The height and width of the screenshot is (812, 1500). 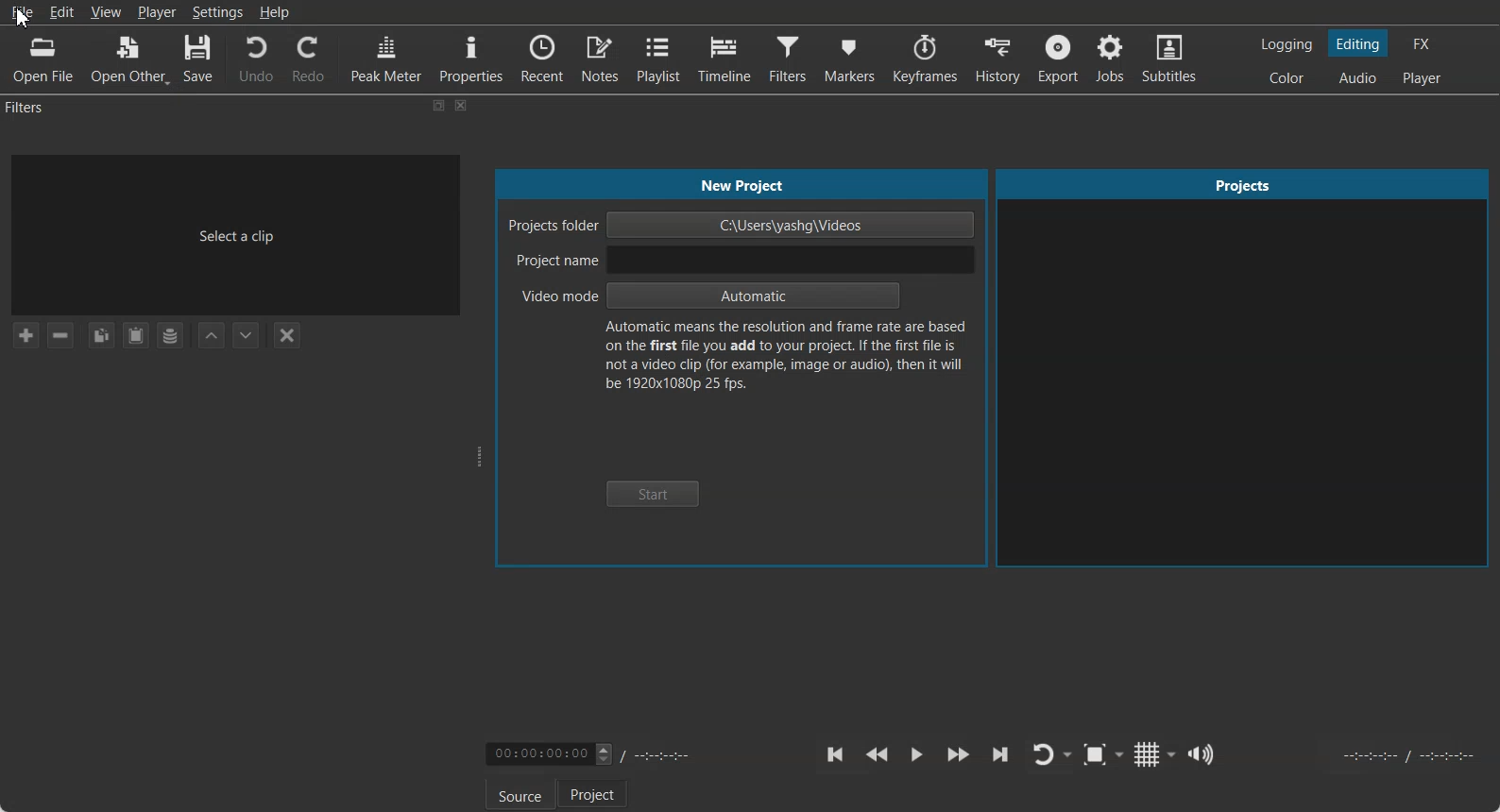 What do you see at coordinates (602, 58) in the screenshot?
I see `Notes` at bounding box center [602, 58].